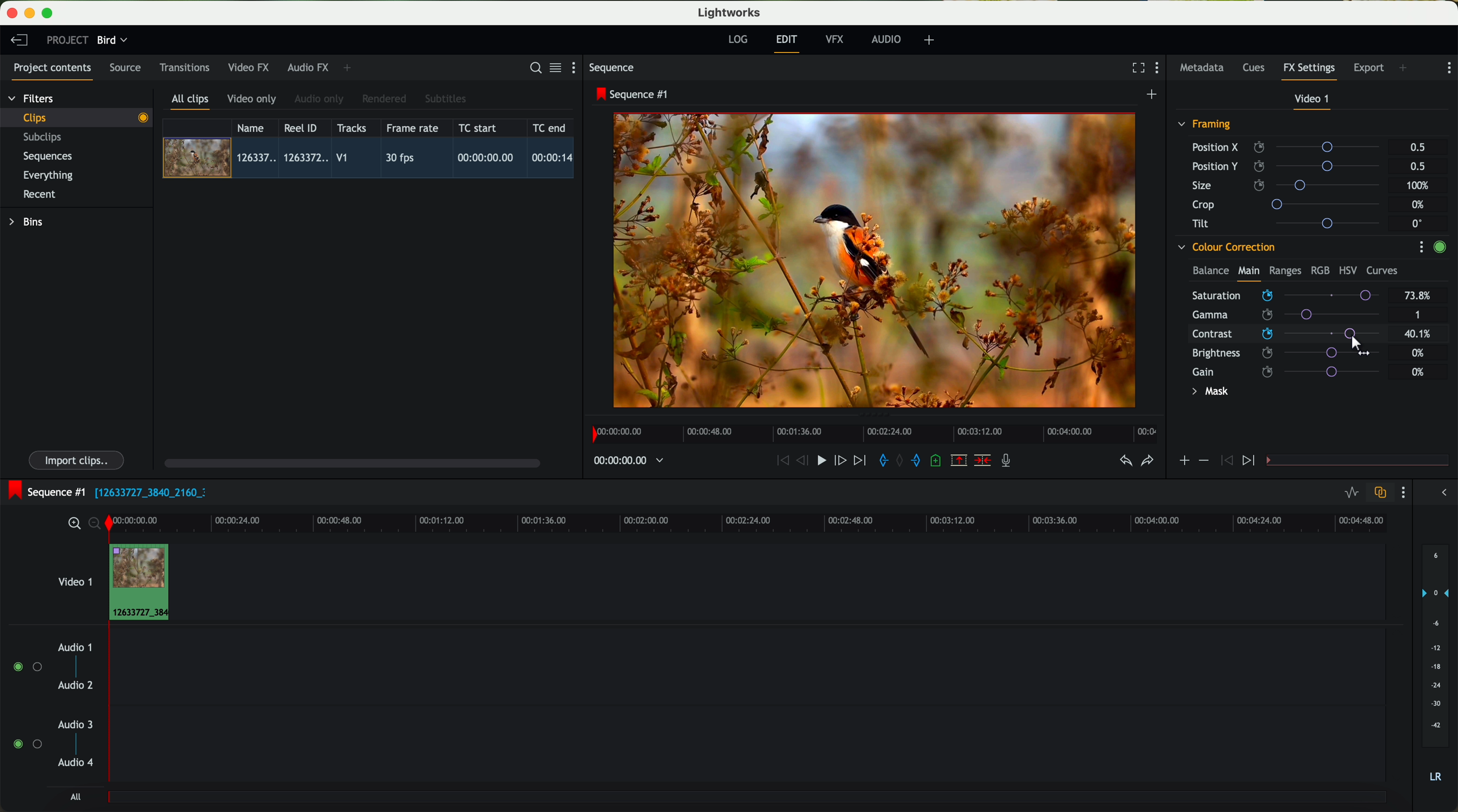 This screenshot has width=1458, height=812. What do you see at coordinates (1378, 493) in the screenshot?
I see `toggle auto track sync` at bounding box center [1378, 493].